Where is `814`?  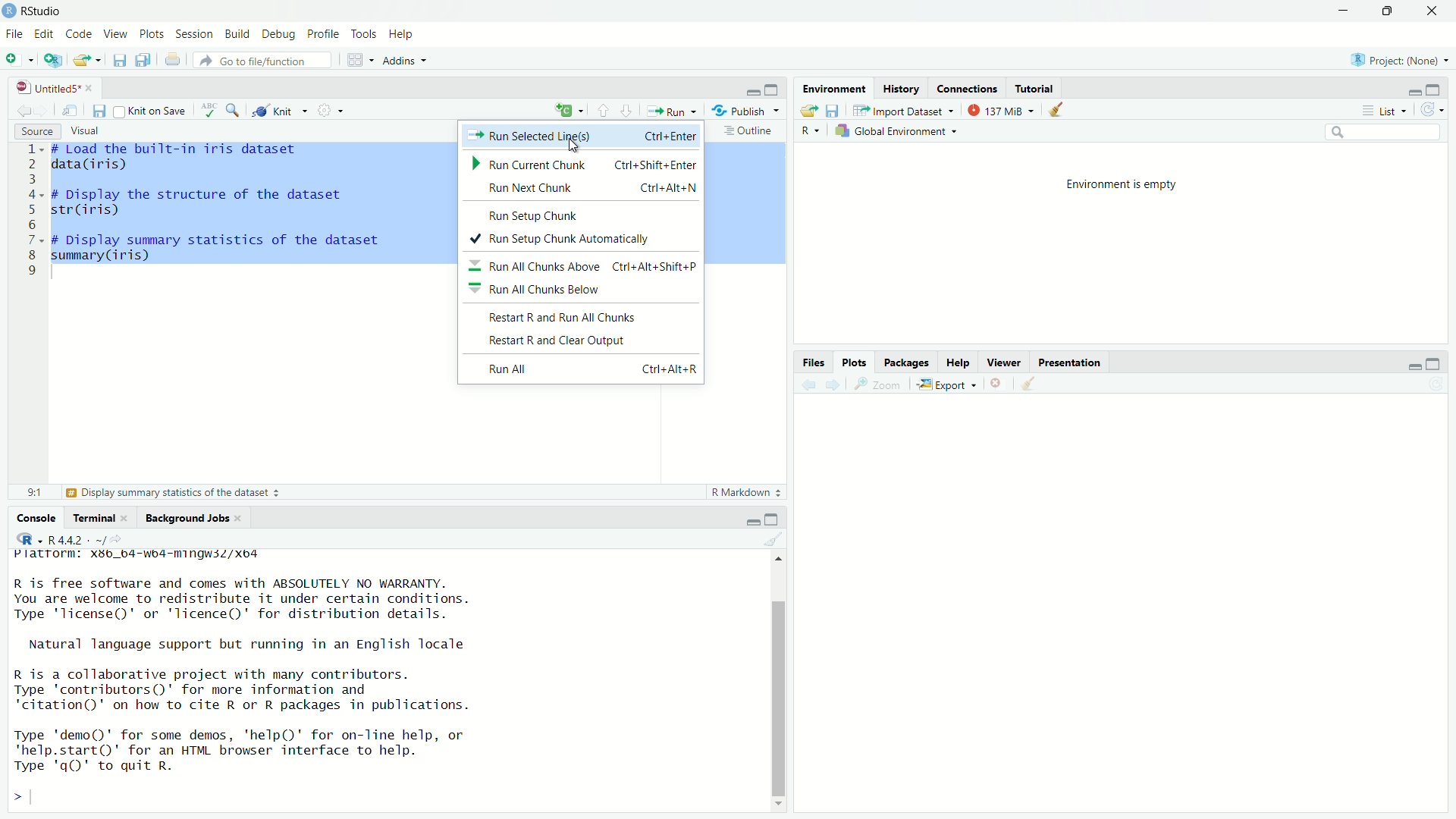 814 is located at coordinates (36, 492).